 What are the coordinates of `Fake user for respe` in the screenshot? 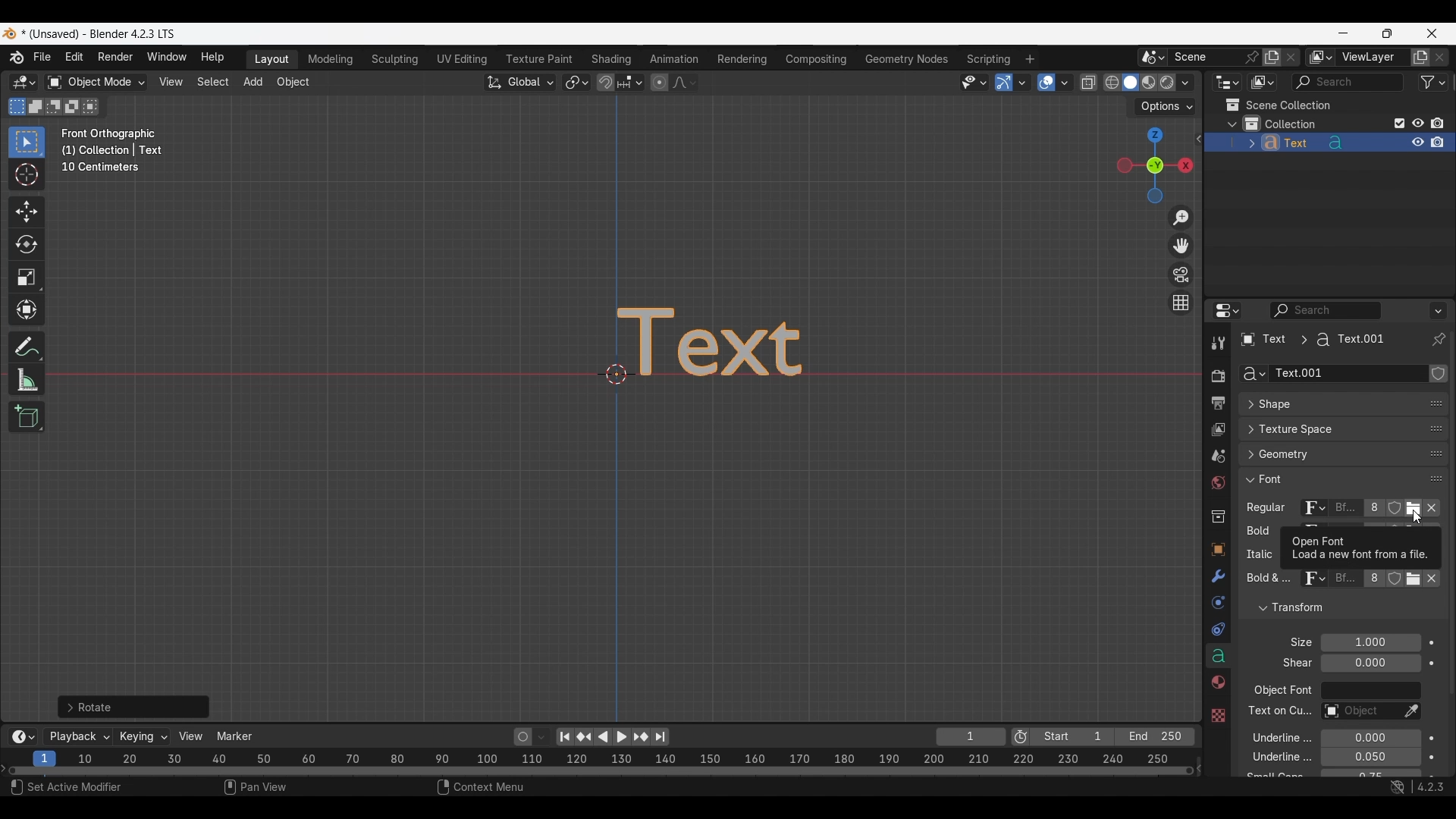 It's located at (1394, 511).